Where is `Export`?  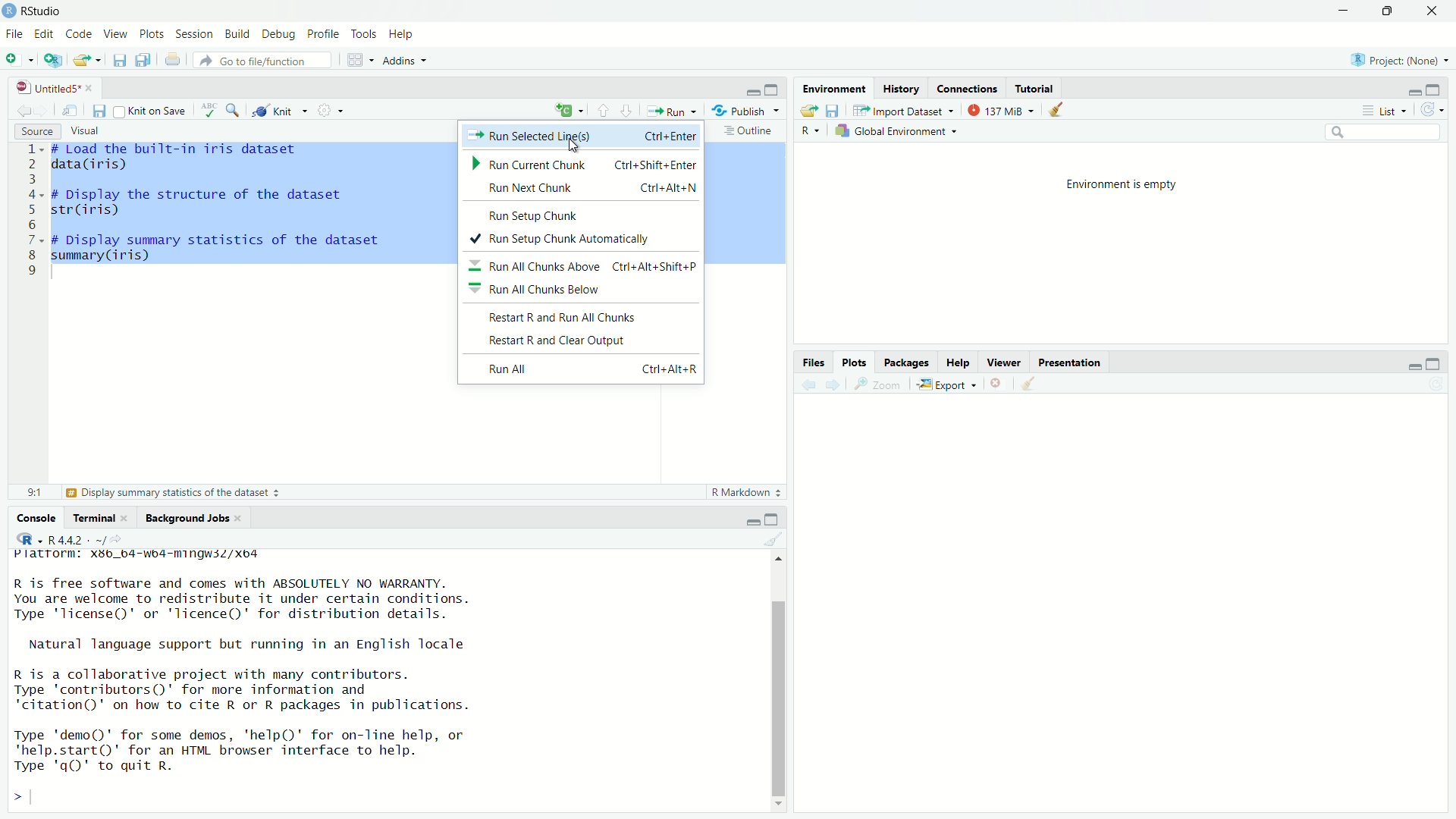
Export is located at coordinates (944, 384).